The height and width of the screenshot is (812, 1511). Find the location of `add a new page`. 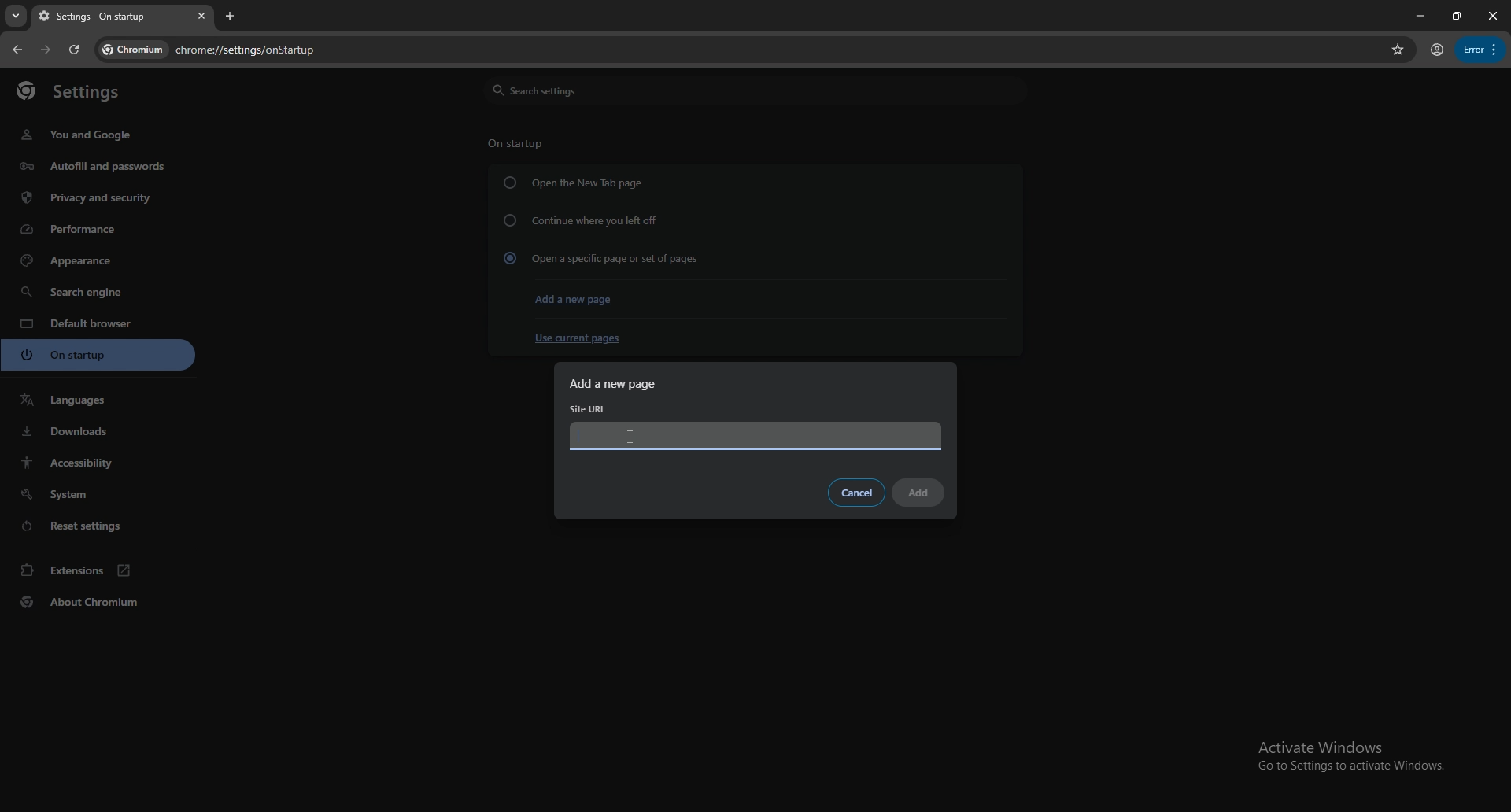

add a new page is located at coordinates (574, 301).